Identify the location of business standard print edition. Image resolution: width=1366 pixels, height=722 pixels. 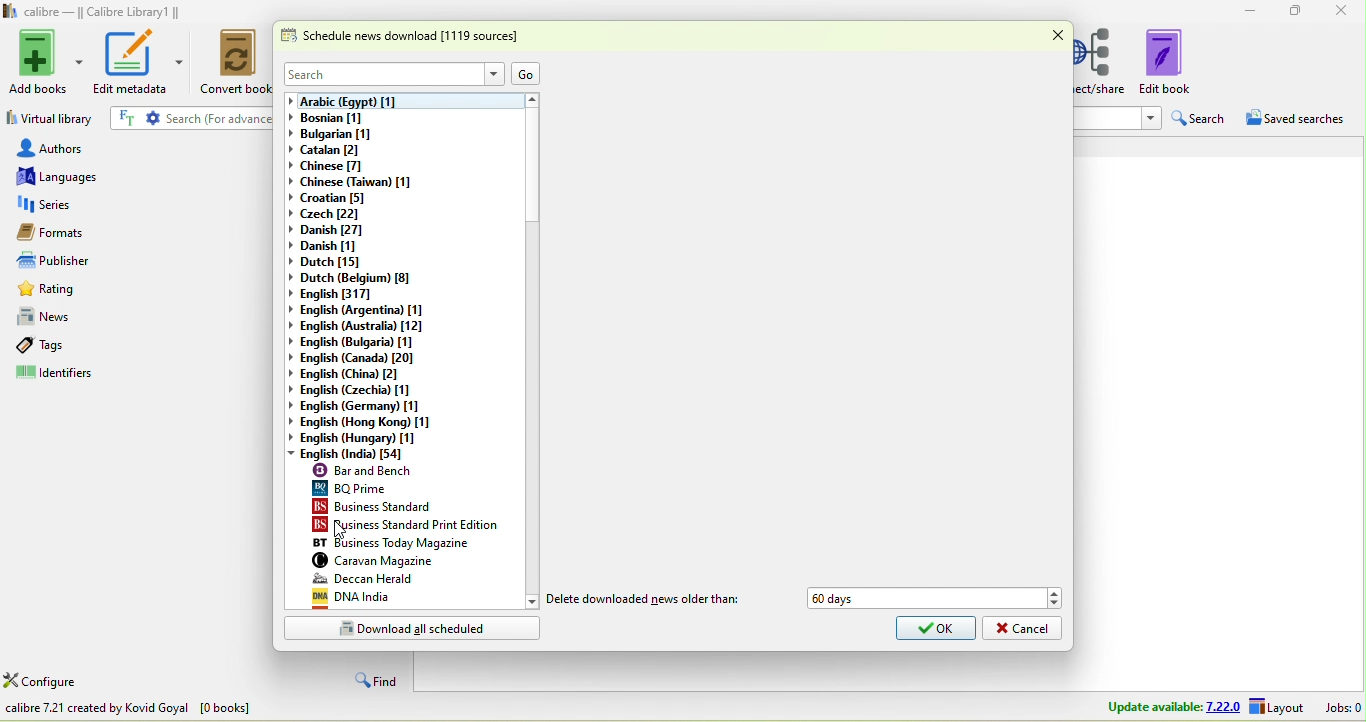
(414, 525).